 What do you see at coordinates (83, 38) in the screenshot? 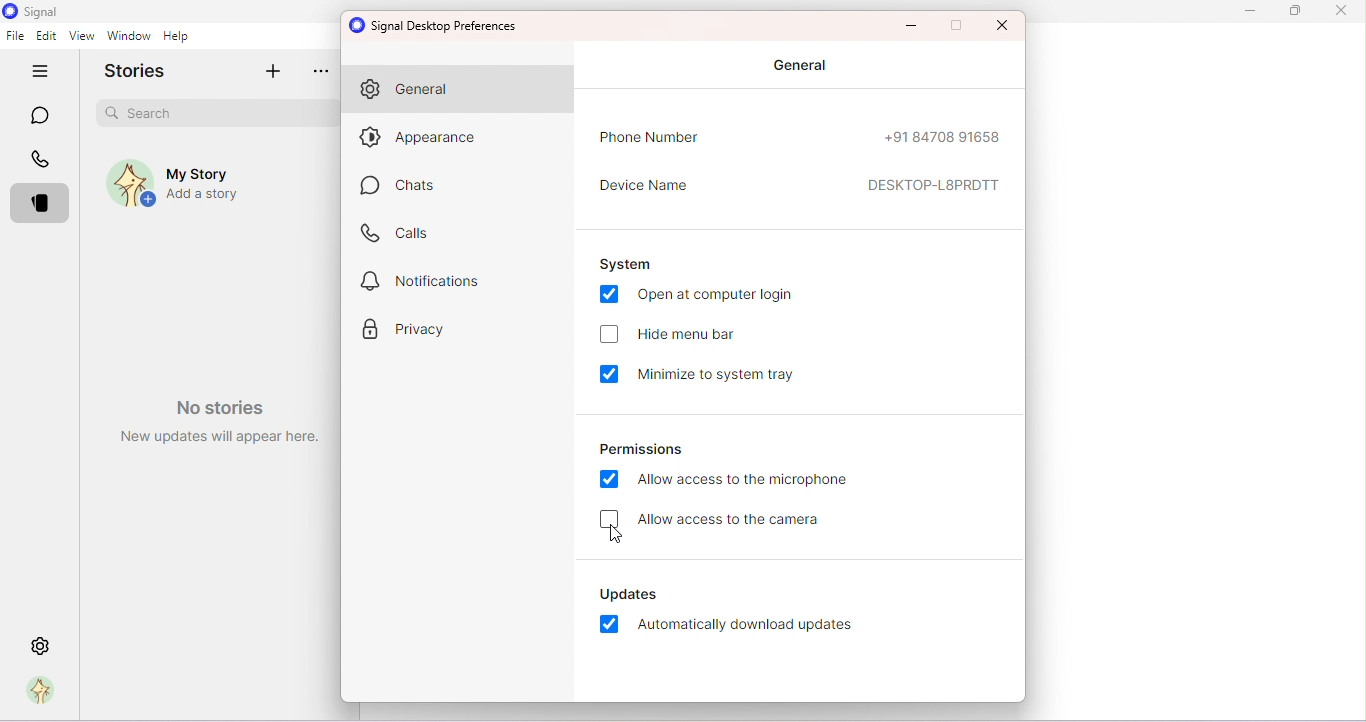
I see `View` at bounding box center [83, 38].